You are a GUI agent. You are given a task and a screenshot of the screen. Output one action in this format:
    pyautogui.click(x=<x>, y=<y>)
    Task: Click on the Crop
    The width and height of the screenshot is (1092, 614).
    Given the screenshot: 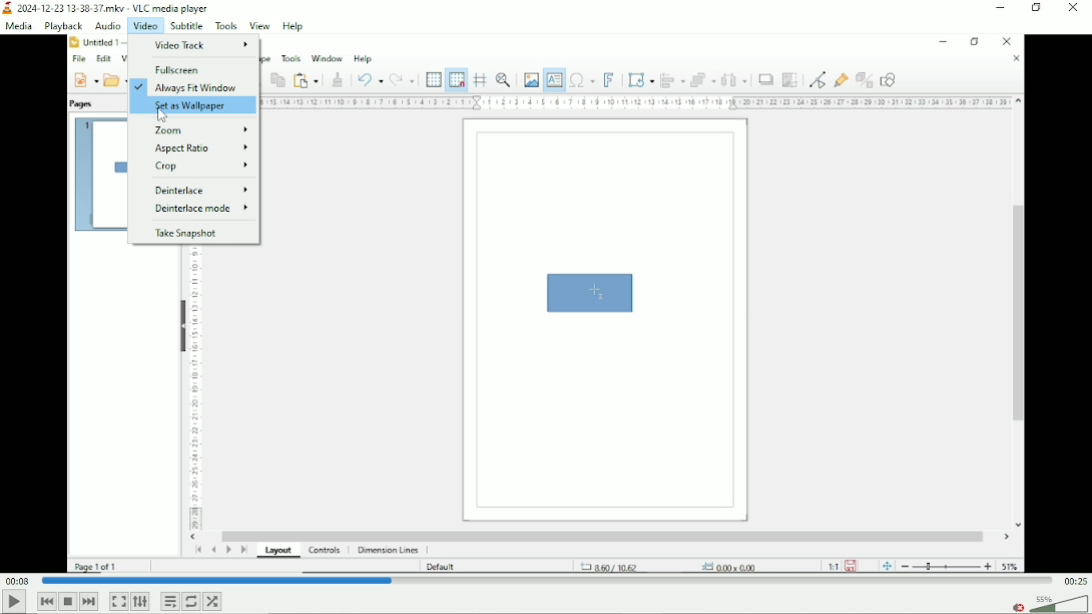 What is the action you would take?
    pyautogui.click(x=203, y=166)
    